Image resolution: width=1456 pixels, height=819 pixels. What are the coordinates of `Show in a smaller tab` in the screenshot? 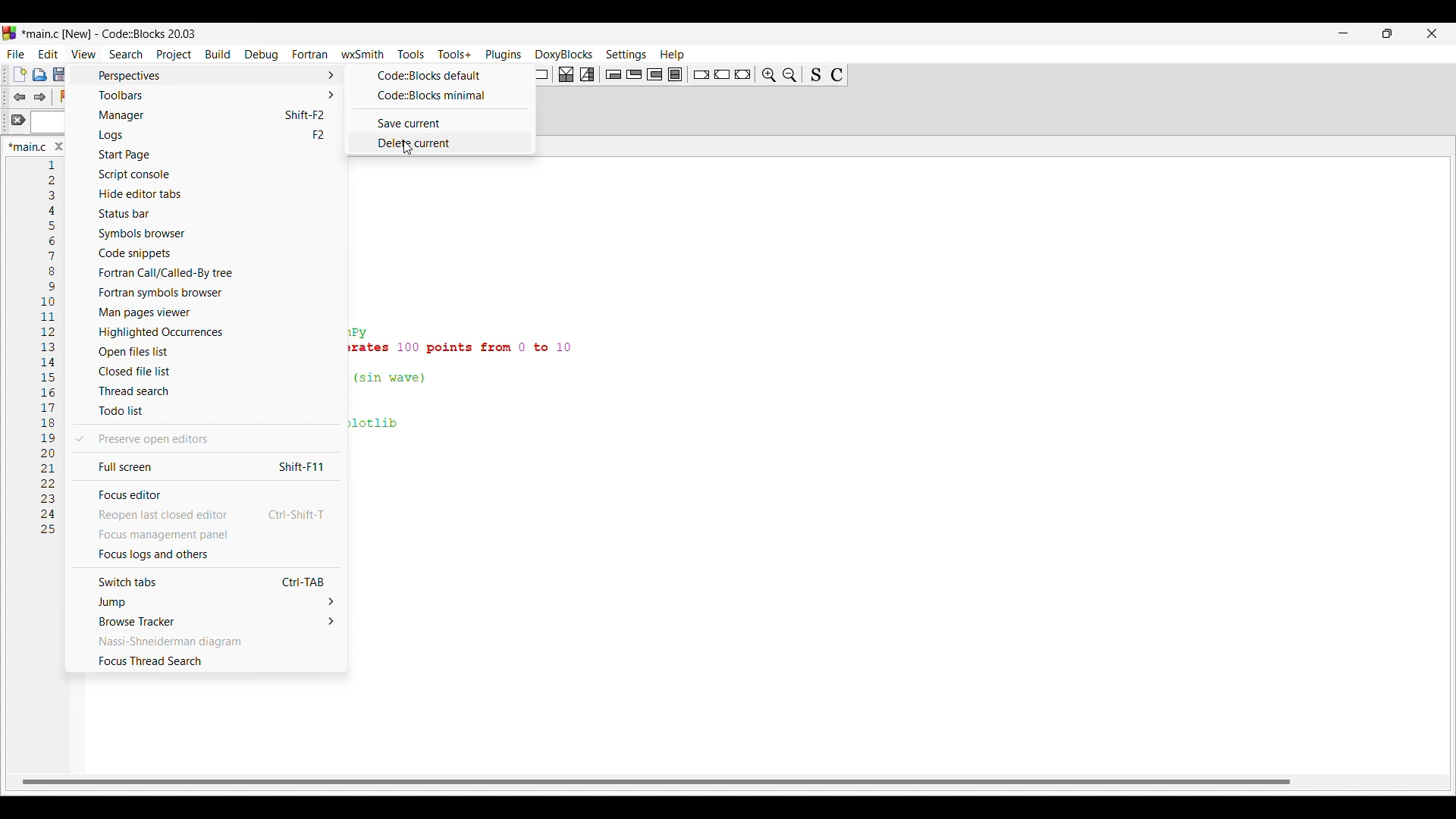 It's located at (1388, 33).